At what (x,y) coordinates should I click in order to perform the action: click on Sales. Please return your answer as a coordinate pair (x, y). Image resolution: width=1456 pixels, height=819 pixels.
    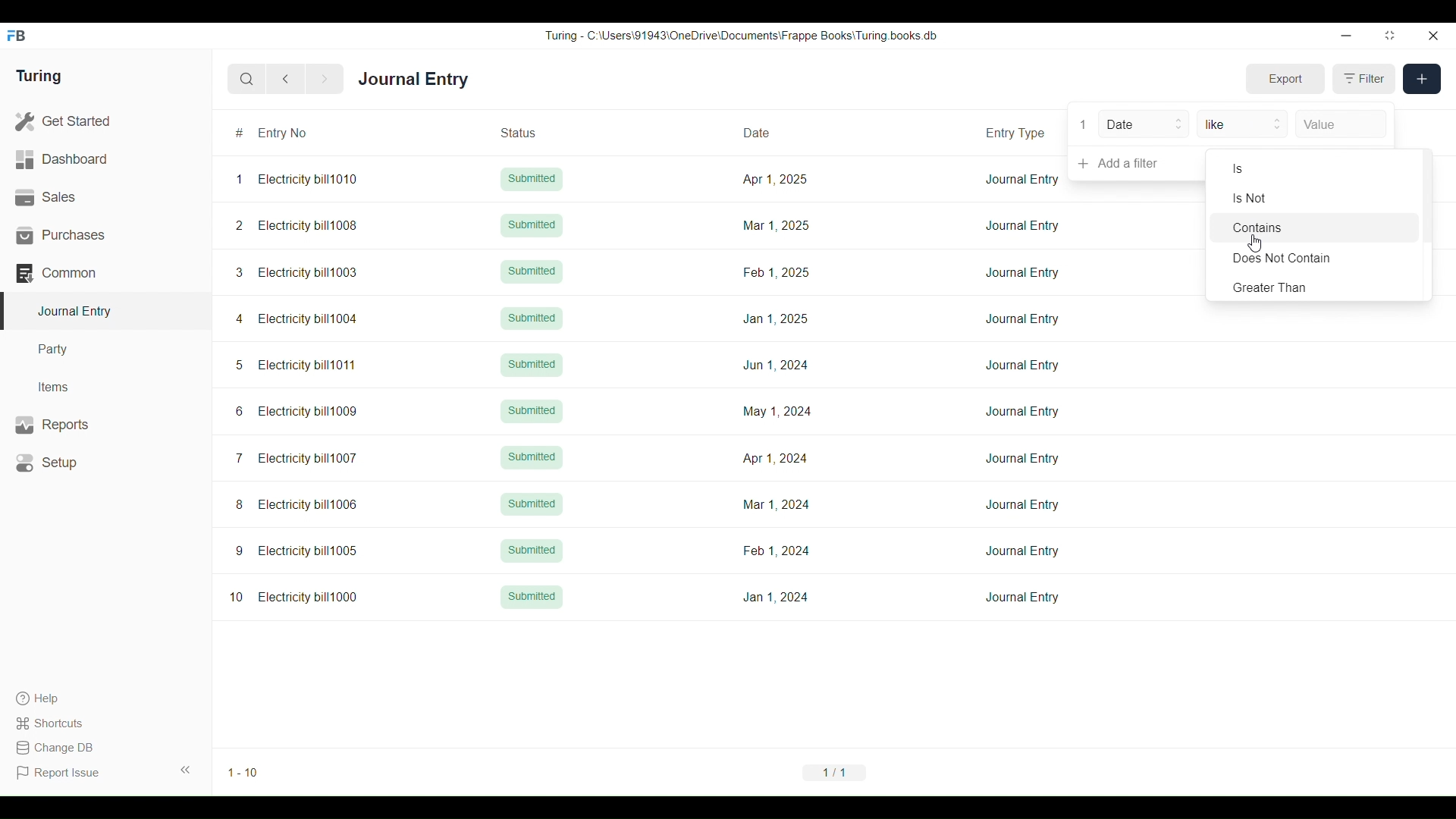
    Looking at the image, I should click on (105, 197).